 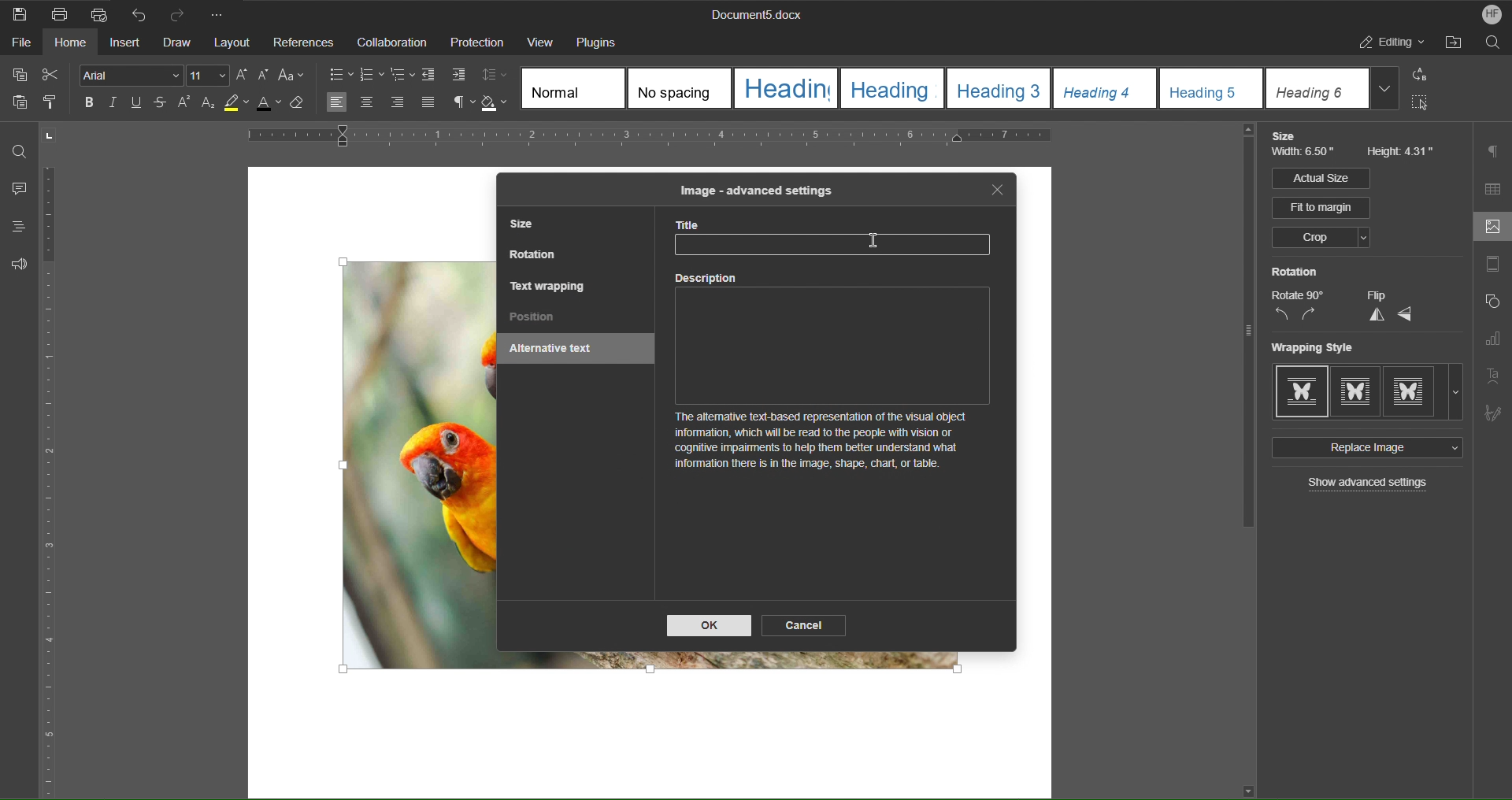 I want to click on Rotate CCW, so click(x=1281, y=315).